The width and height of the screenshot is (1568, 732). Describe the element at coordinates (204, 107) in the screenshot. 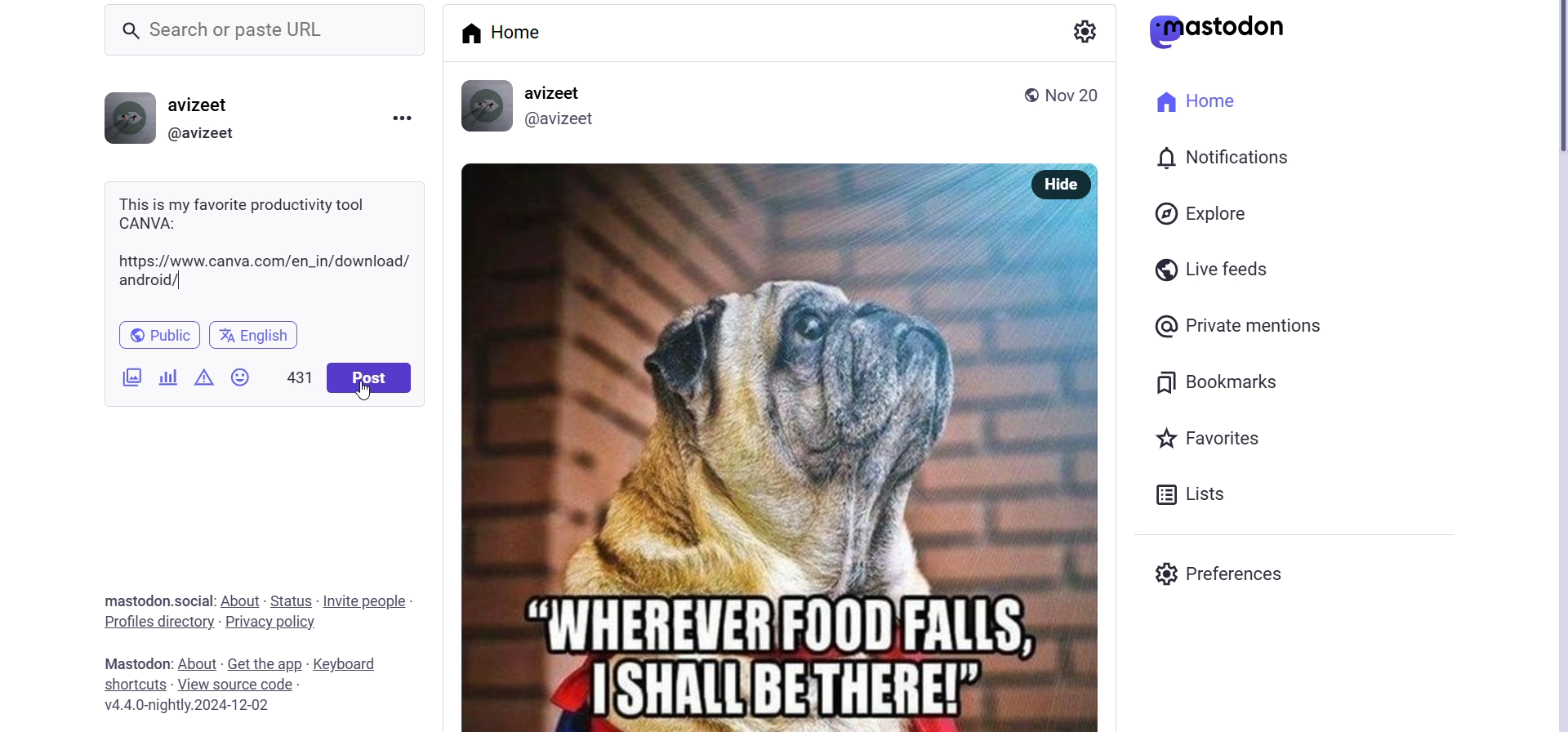

I see `avizeet` at that location.